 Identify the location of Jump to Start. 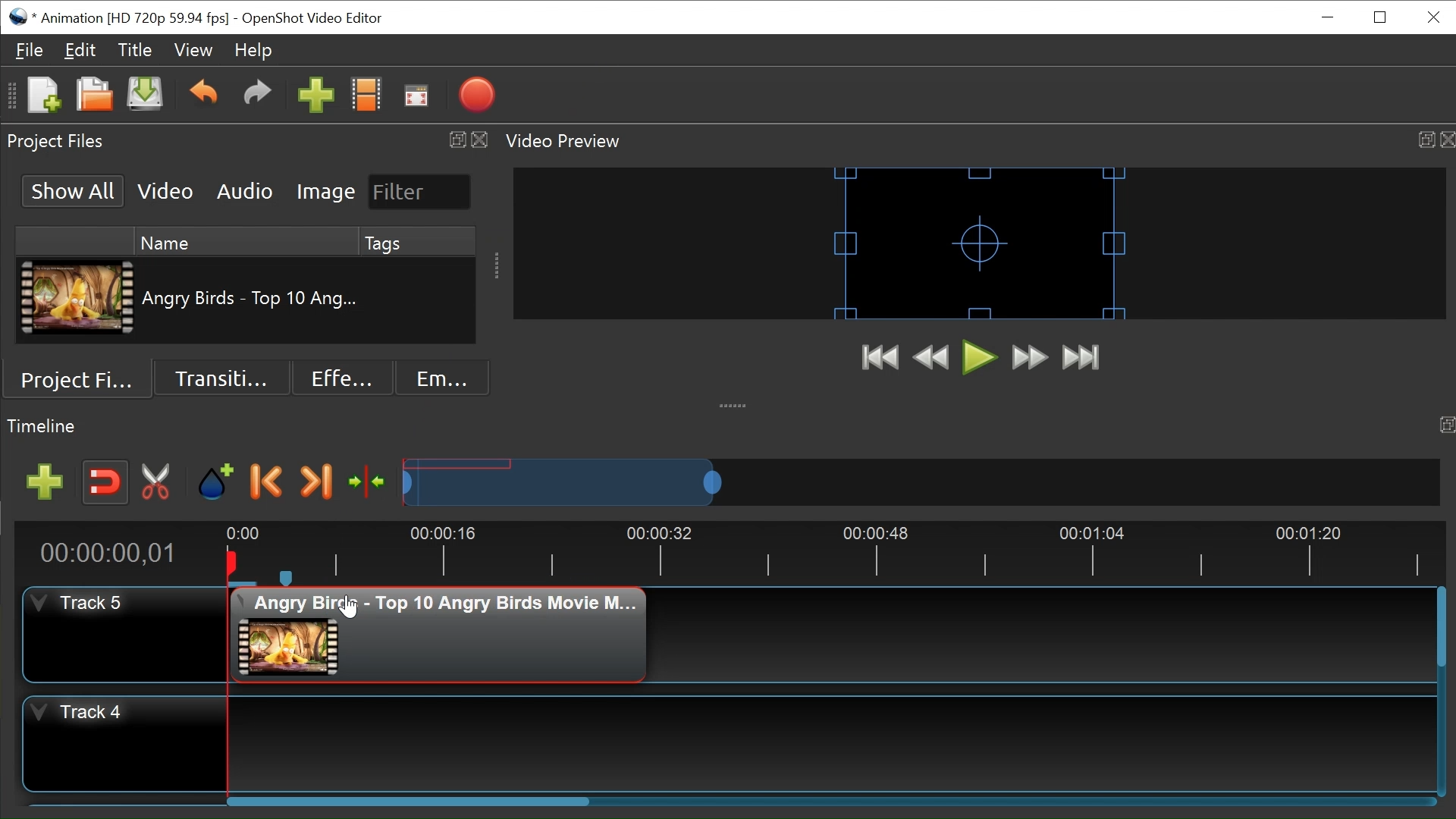
(881, 359).